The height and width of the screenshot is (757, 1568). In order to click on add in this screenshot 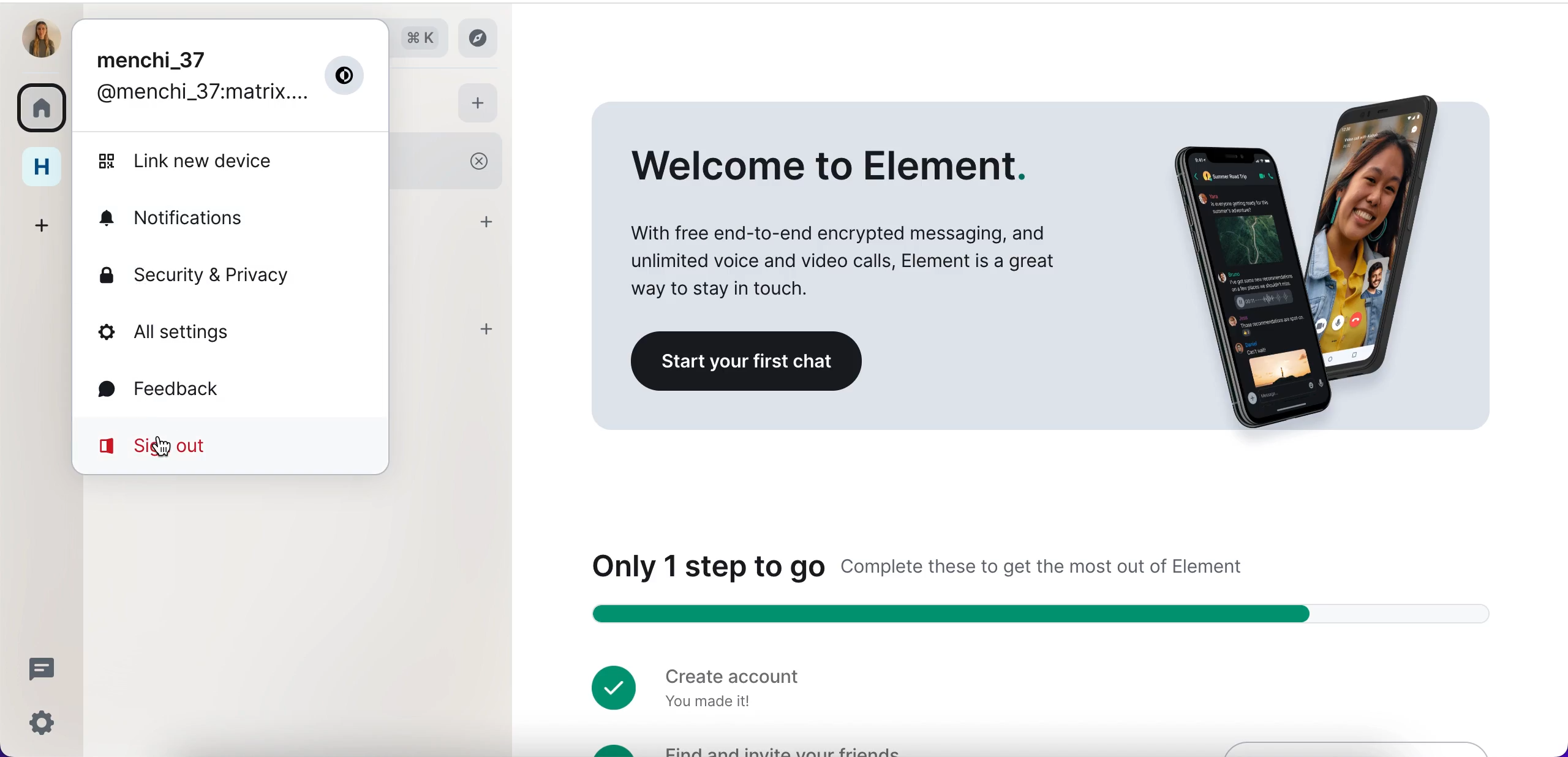, I will do `click(490, 221)`.